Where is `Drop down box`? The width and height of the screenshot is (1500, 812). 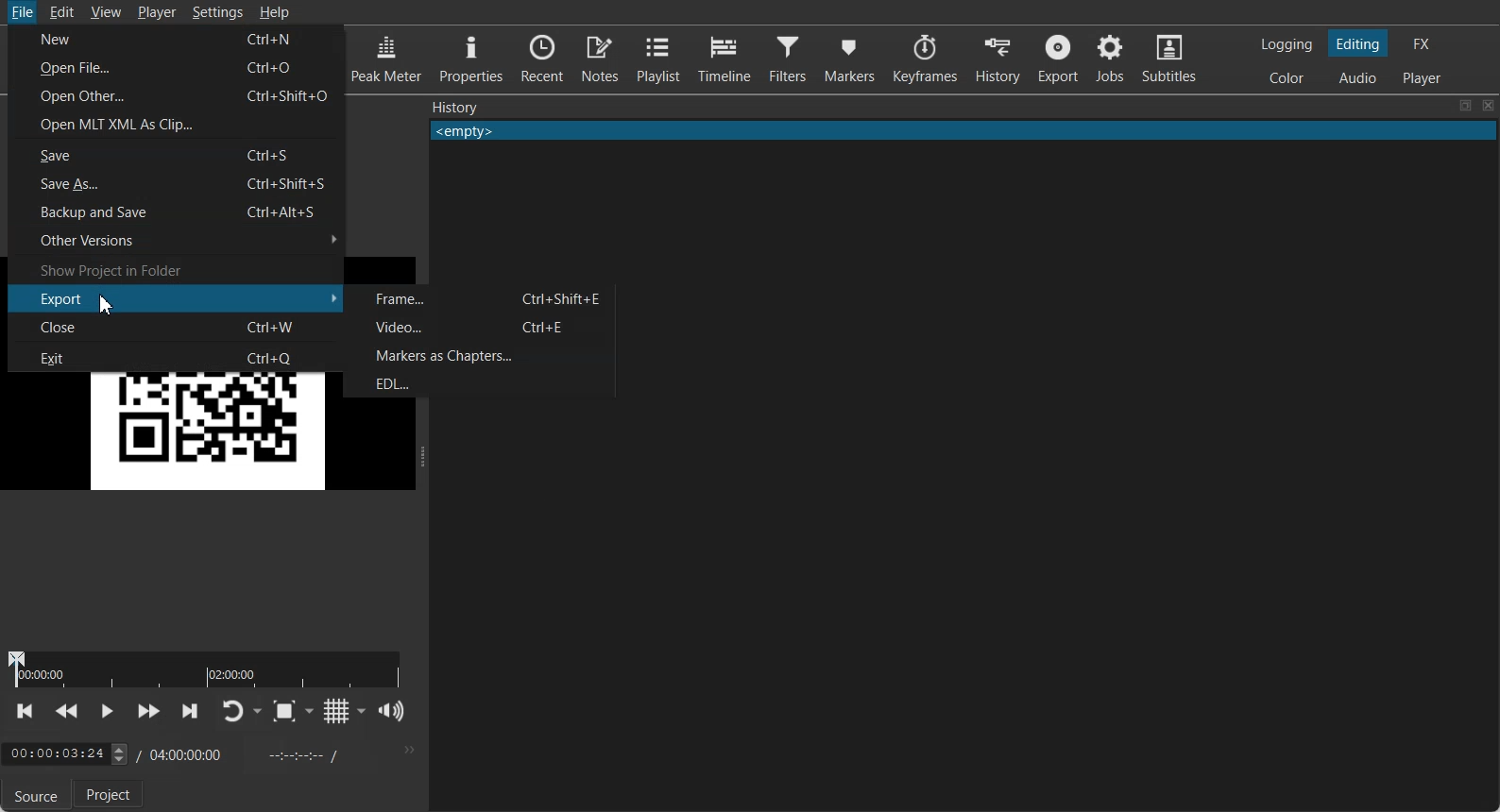
Drop down box is located at coordinates (310, 711).